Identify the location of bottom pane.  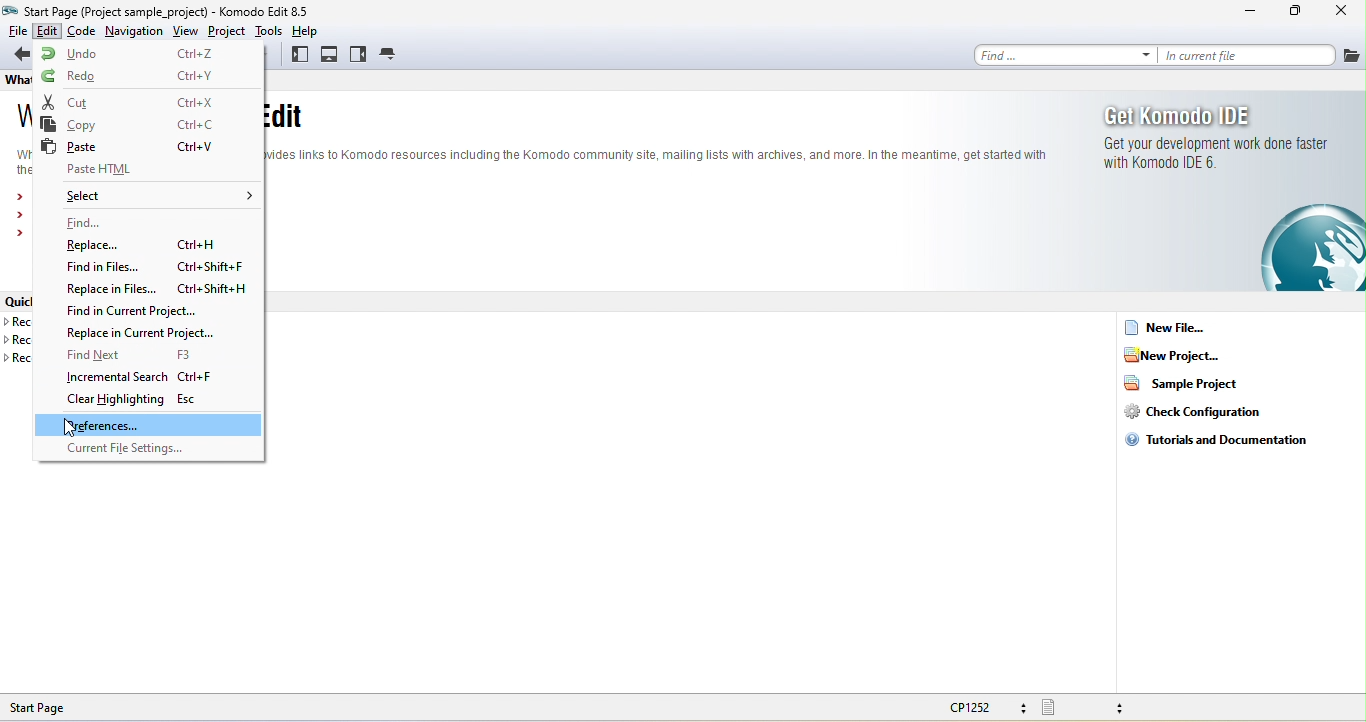
(331, 55).